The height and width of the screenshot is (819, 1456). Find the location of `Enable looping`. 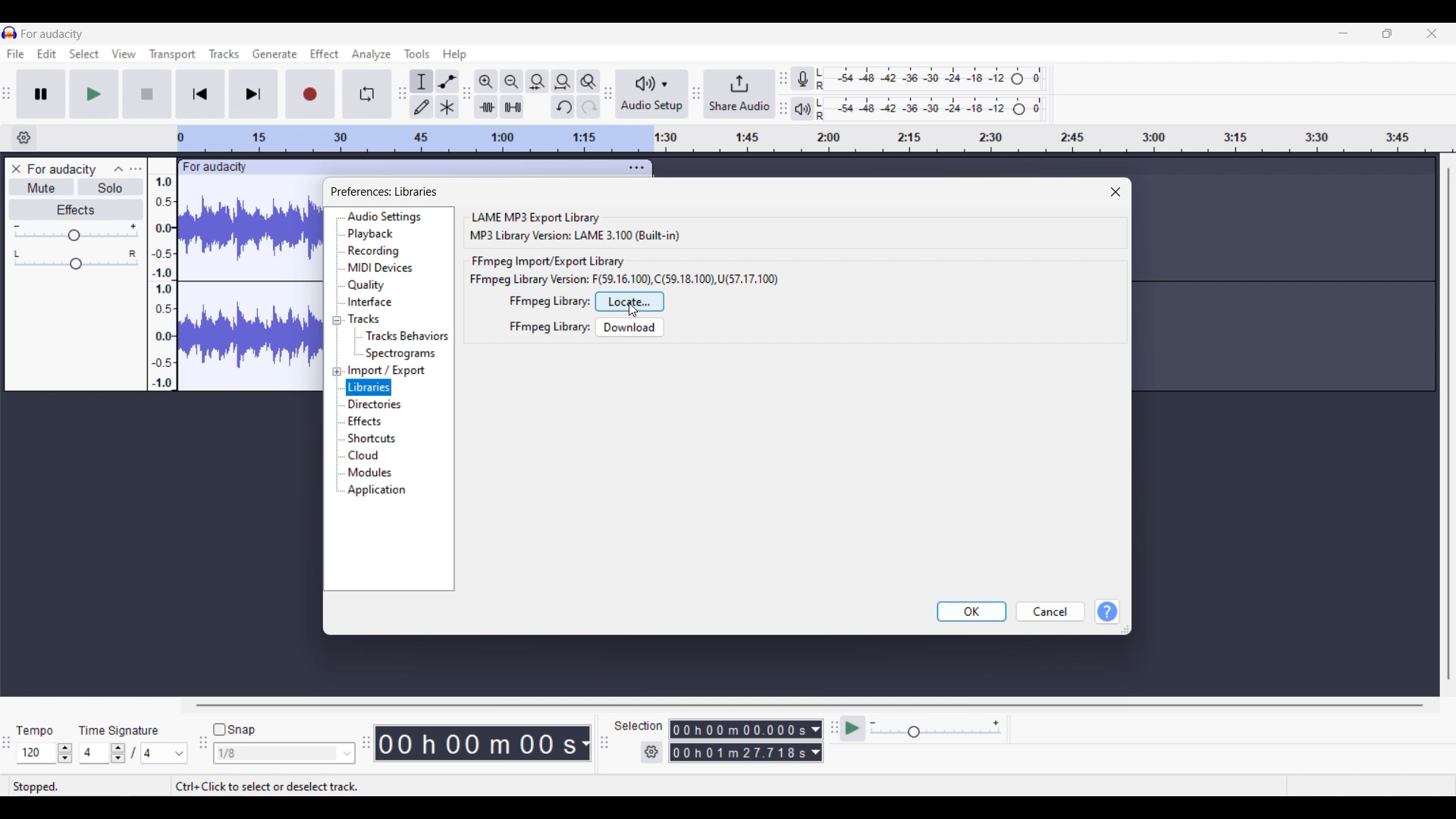

Enable looping is located at coordinates (367, 94).